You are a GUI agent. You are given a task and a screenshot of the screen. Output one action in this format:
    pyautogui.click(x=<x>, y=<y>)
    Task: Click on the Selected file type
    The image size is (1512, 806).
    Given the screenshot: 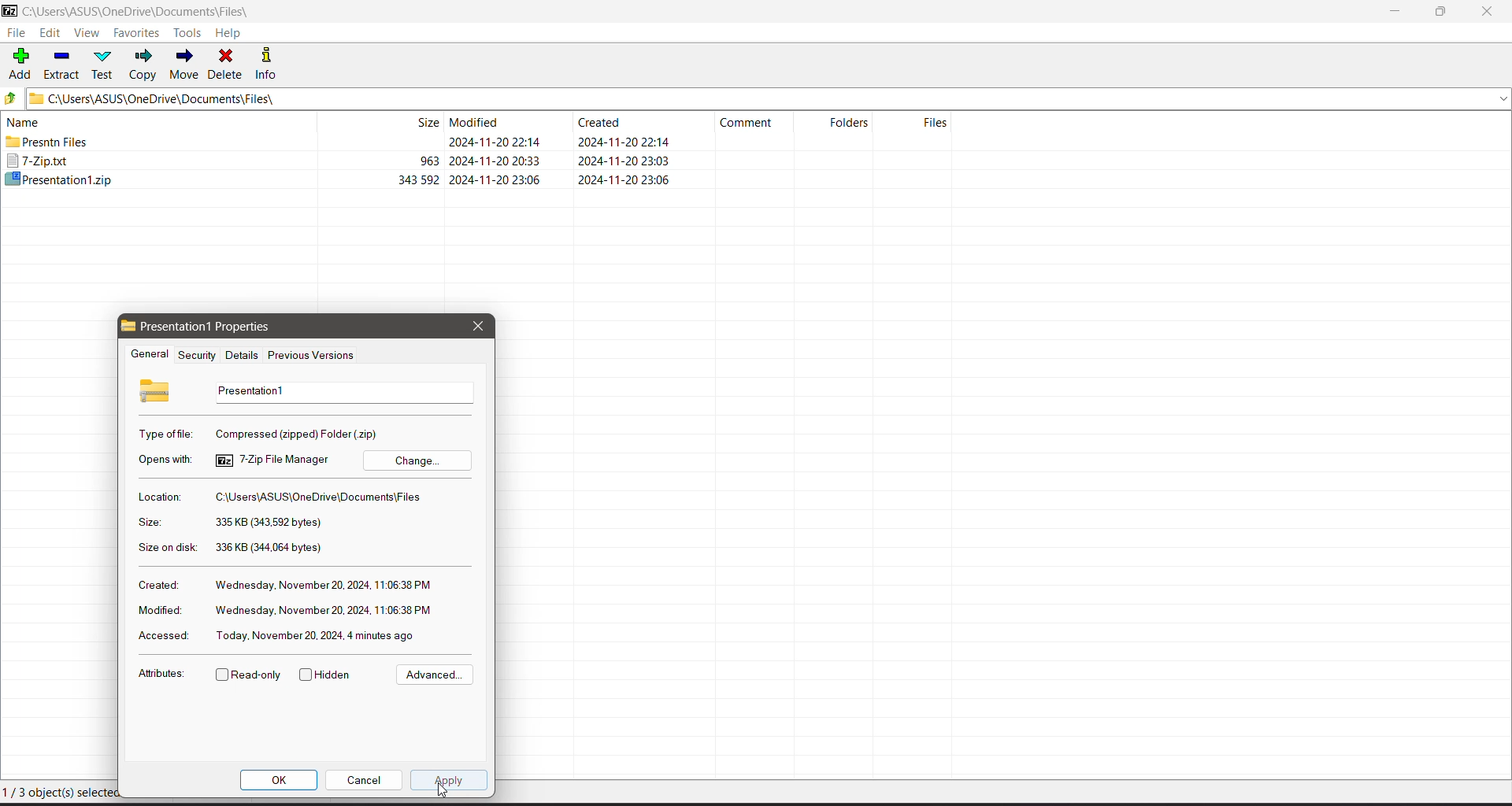 What is the action you would take?
    pyautogui.click(x=299, y=433)
    